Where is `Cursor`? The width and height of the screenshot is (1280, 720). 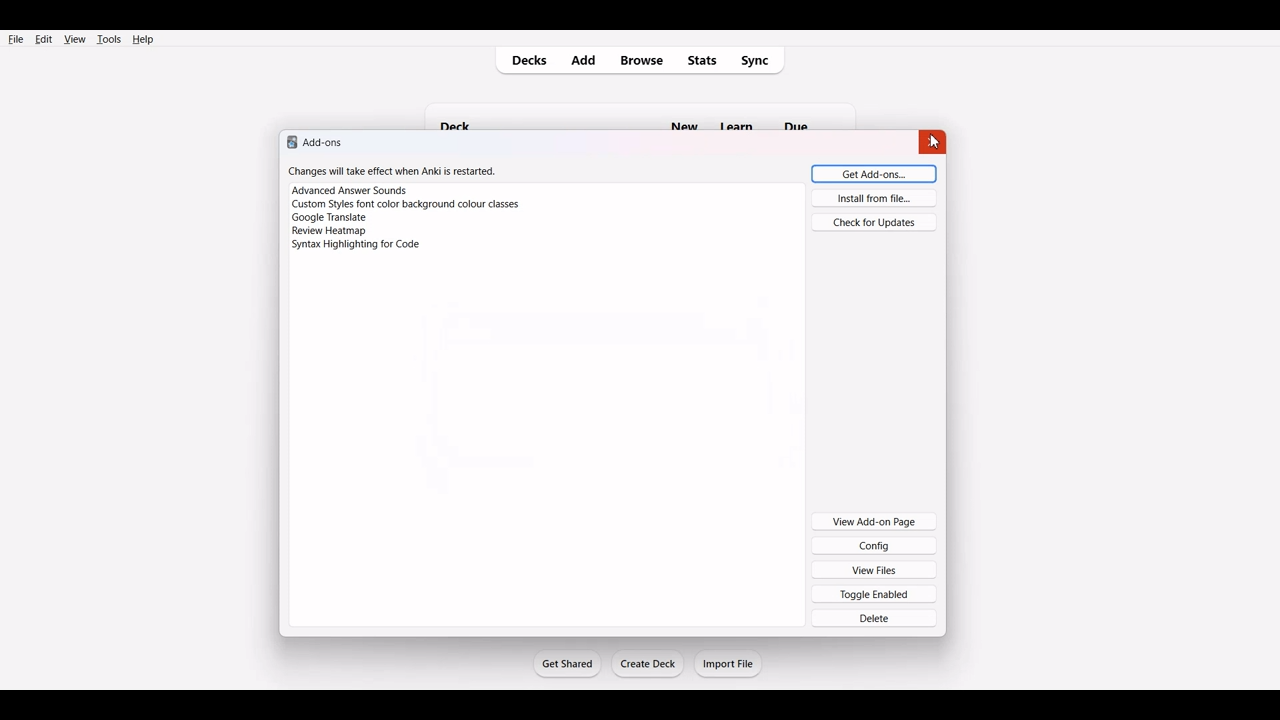
Cursor is located at coordinates (935, 139).